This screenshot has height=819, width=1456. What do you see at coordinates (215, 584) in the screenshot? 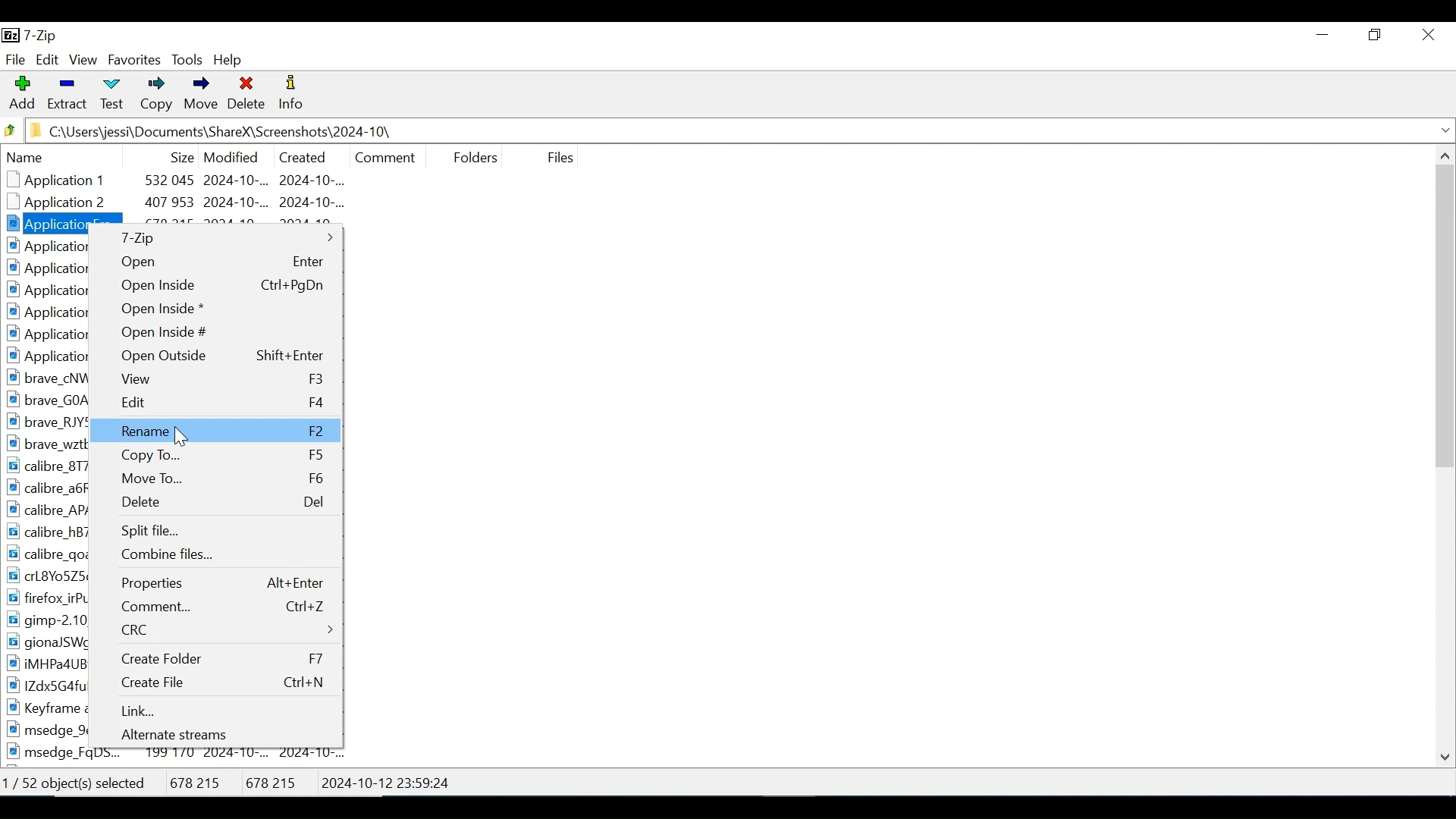
I see `Properties` at bounding box center [215, 584].